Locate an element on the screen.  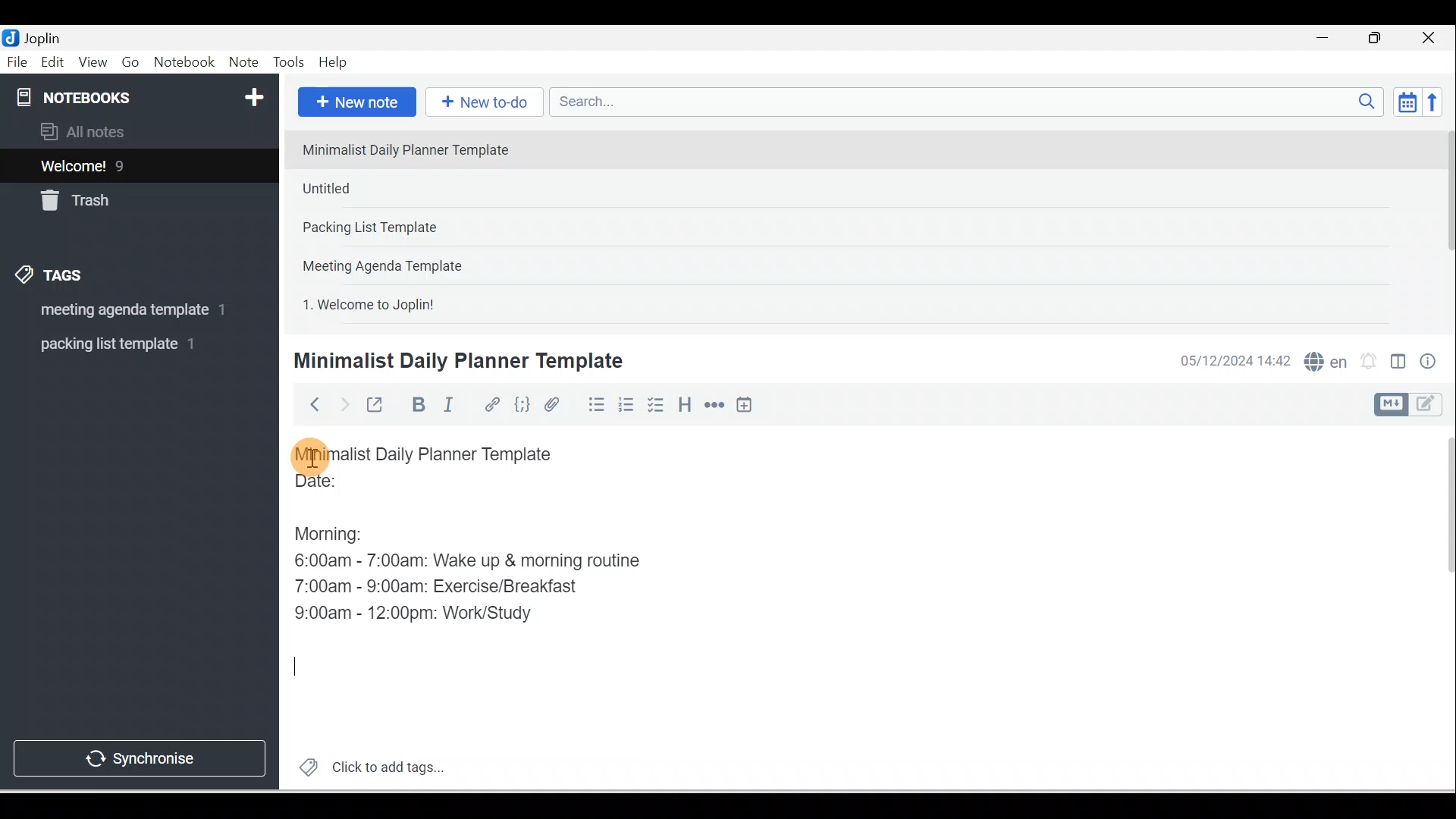
Maximise is located at coordinates (1380, 39).